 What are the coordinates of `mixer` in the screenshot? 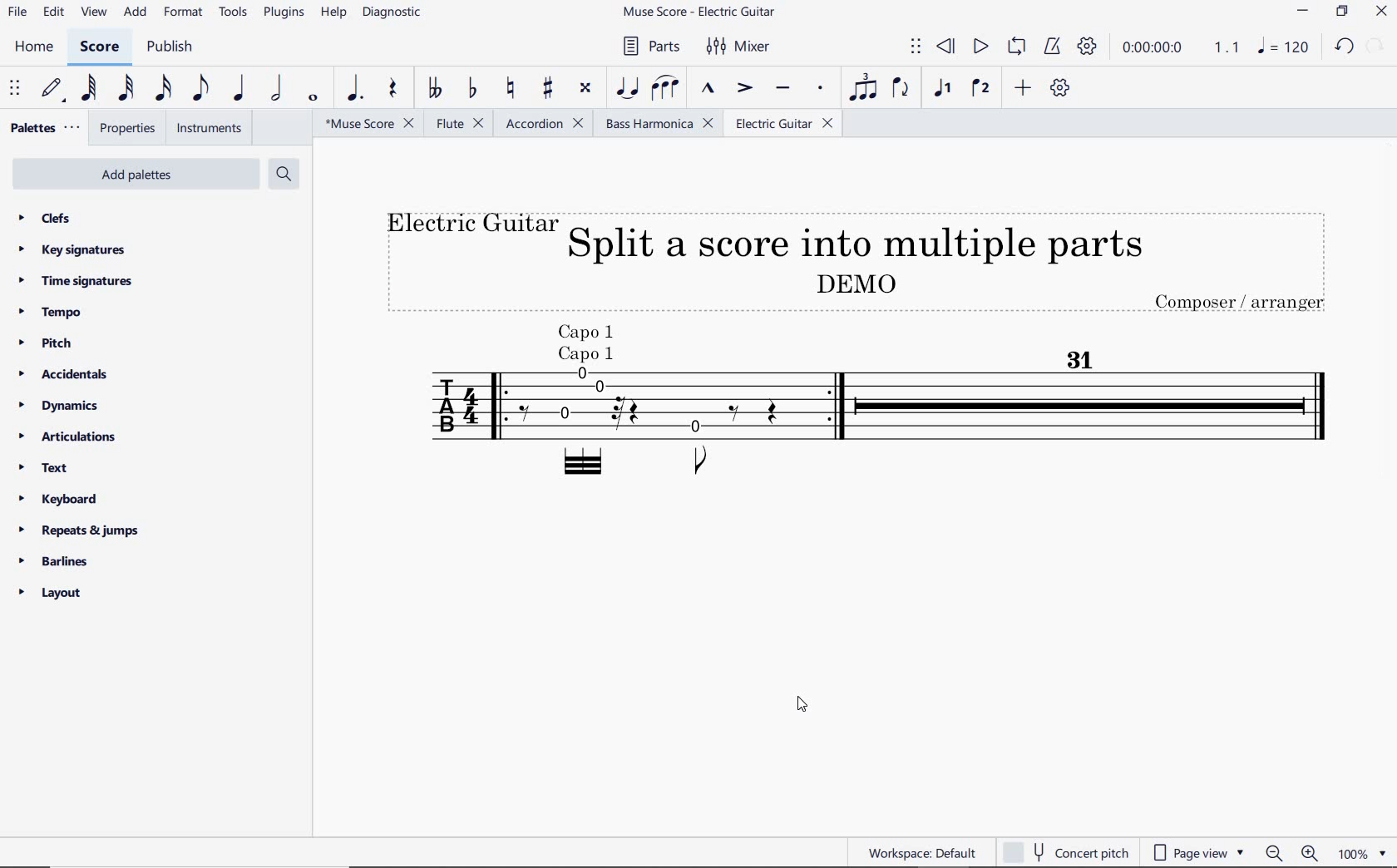 It's located at (742, 47).